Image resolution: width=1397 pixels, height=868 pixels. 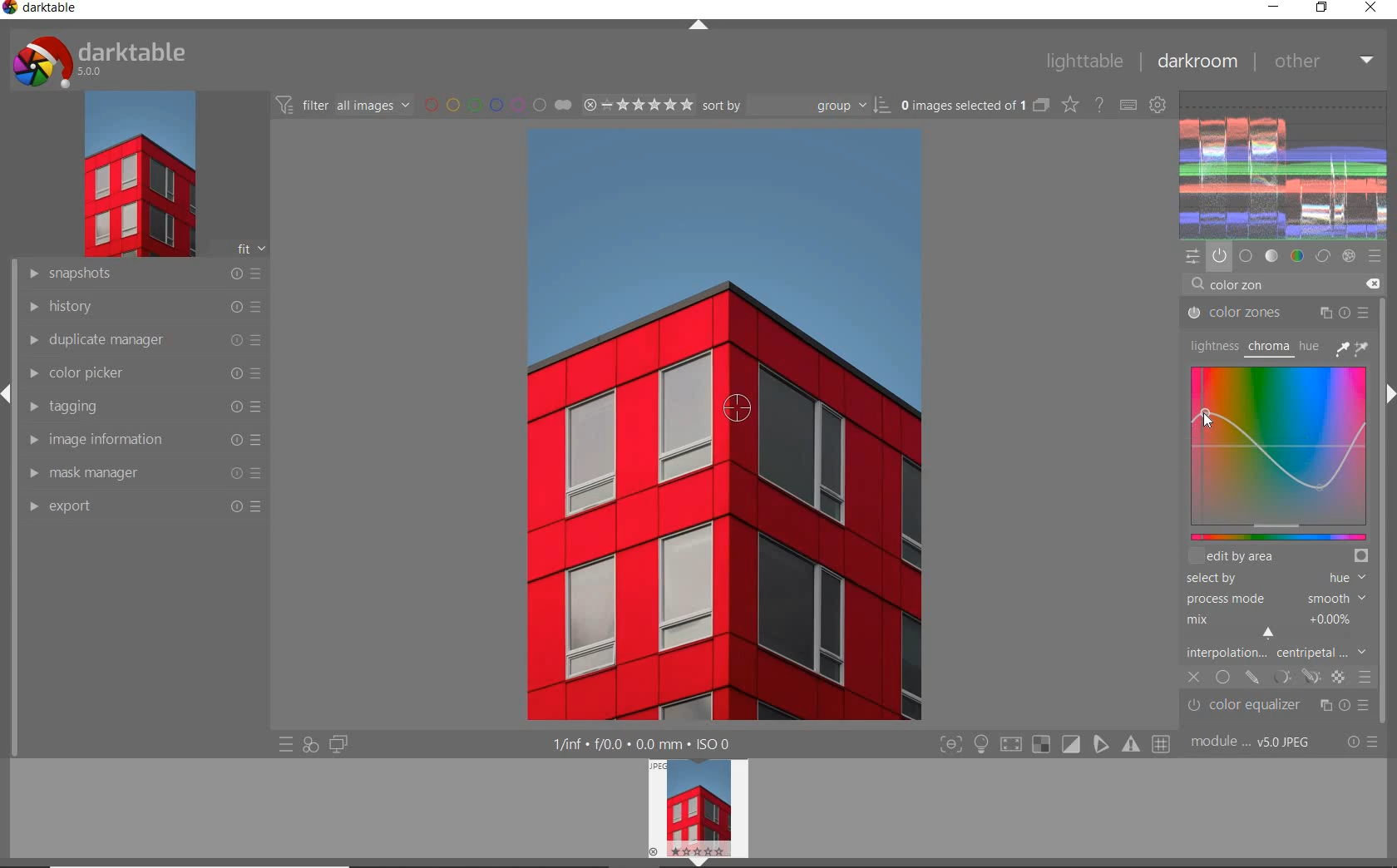 I want to click on quick access to presets, so click(x=286, y=746).